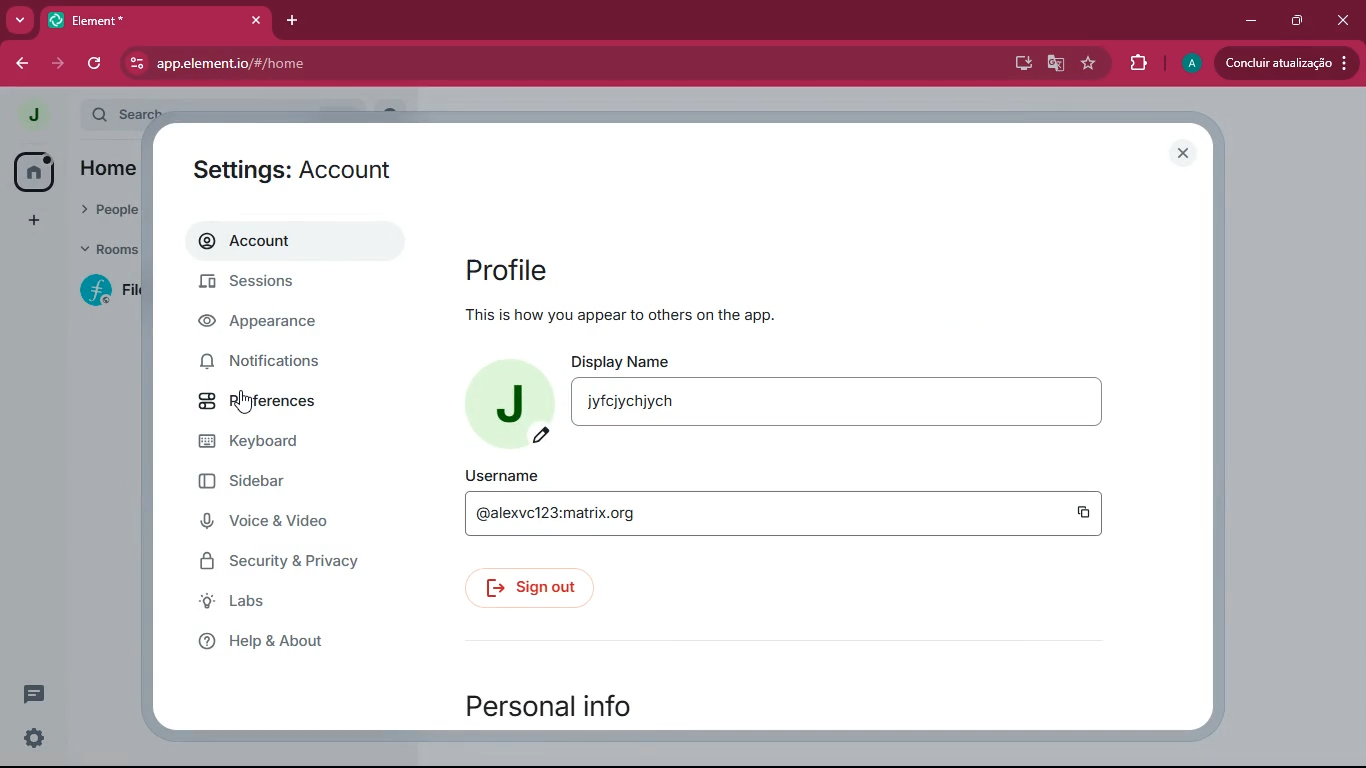 The image size is (1366, 768). I want to click on maximize, so click(1298, 21).